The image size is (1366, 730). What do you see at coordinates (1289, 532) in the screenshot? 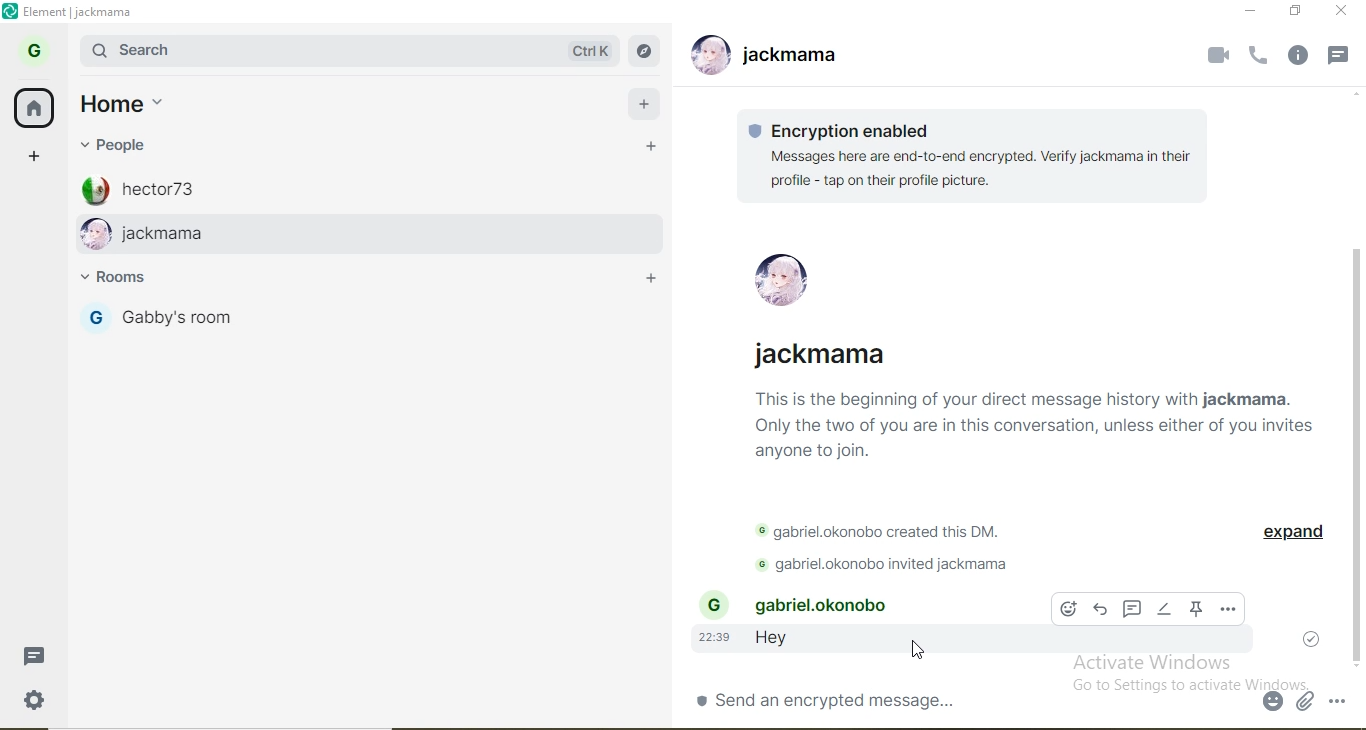
I see `expand` at bounding box center [1289, 532].